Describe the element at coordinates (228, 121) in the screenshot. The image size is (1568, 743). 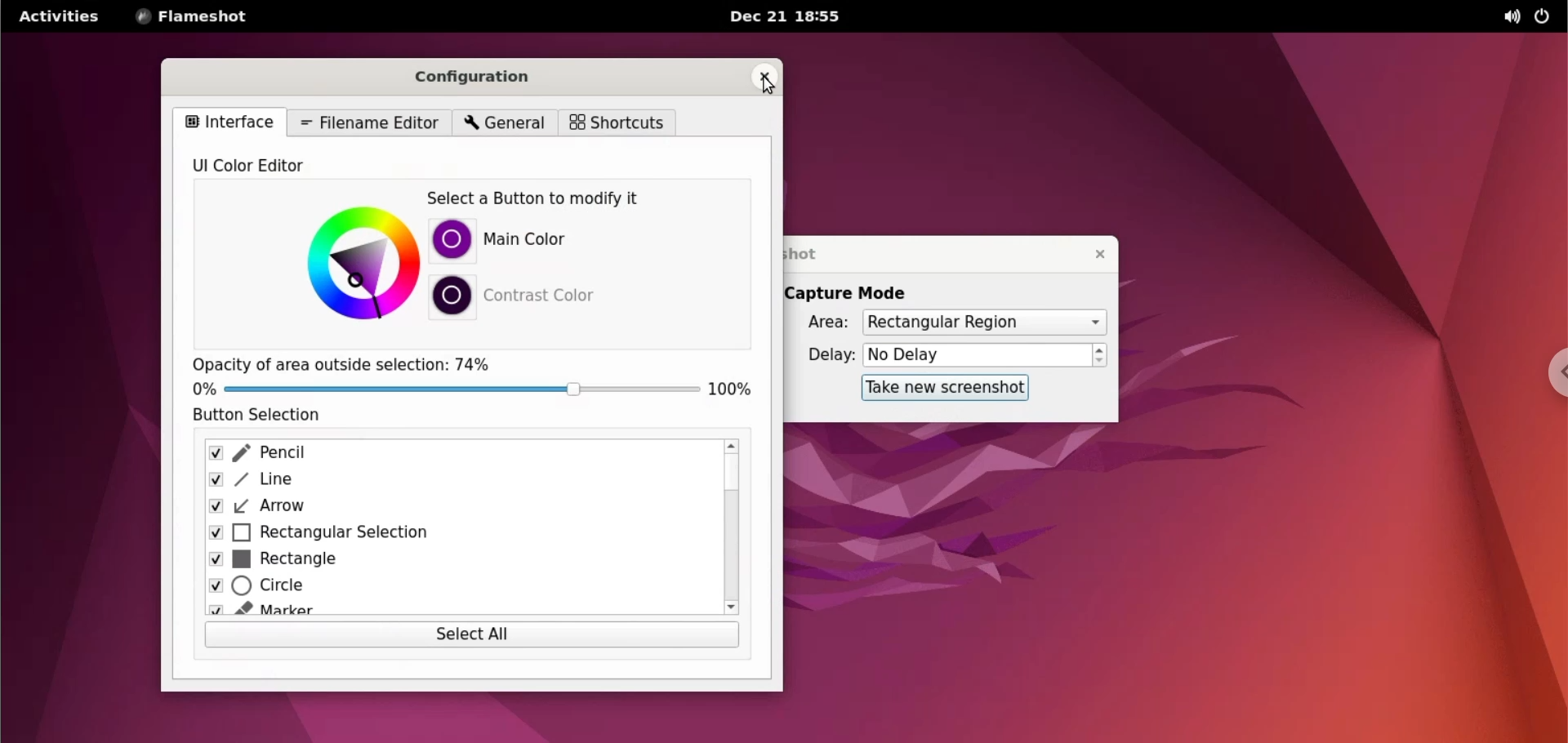
I see `interface ` at that location.